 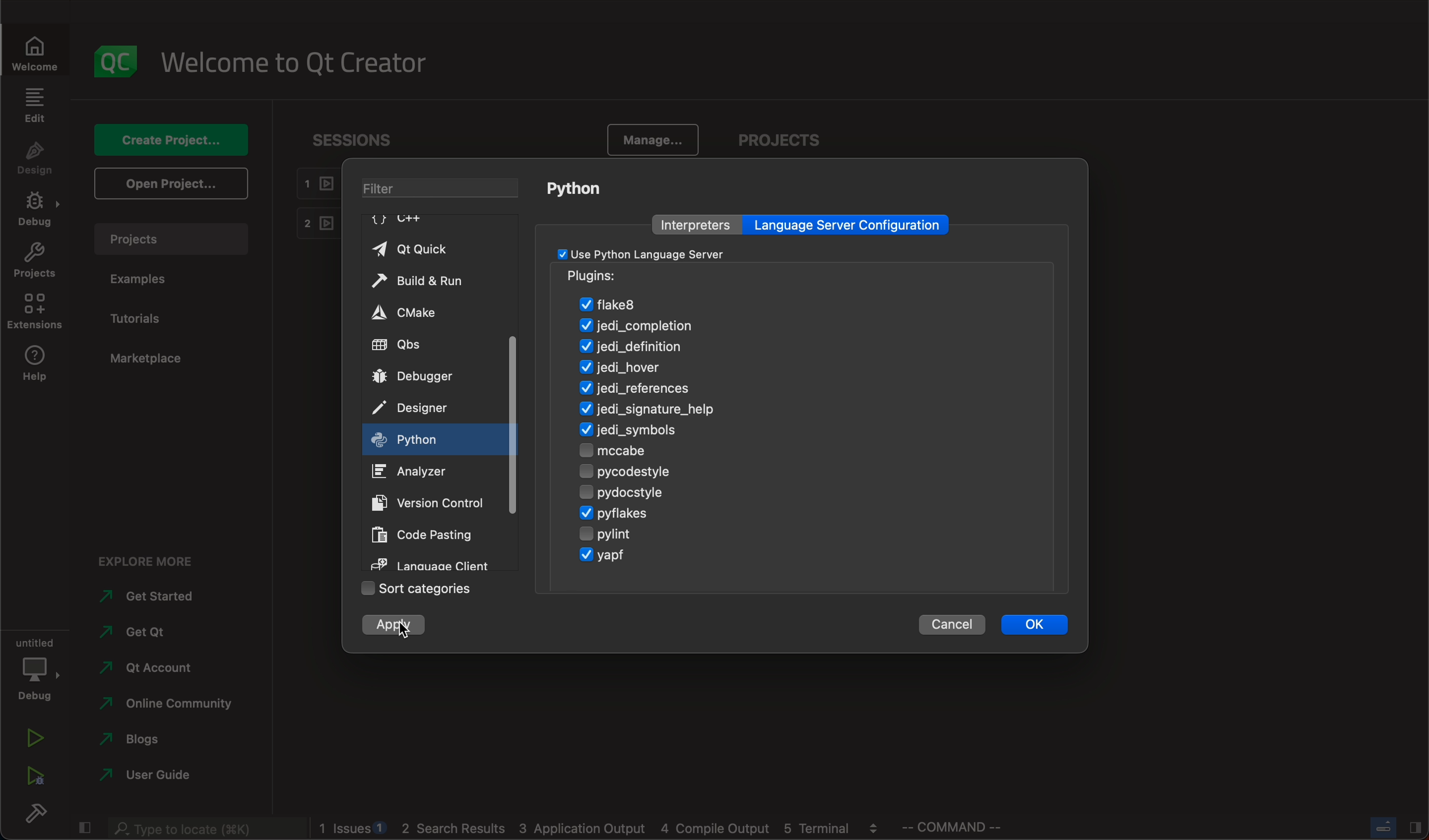 I want to click on tutorials, so click(x=139, y=320).